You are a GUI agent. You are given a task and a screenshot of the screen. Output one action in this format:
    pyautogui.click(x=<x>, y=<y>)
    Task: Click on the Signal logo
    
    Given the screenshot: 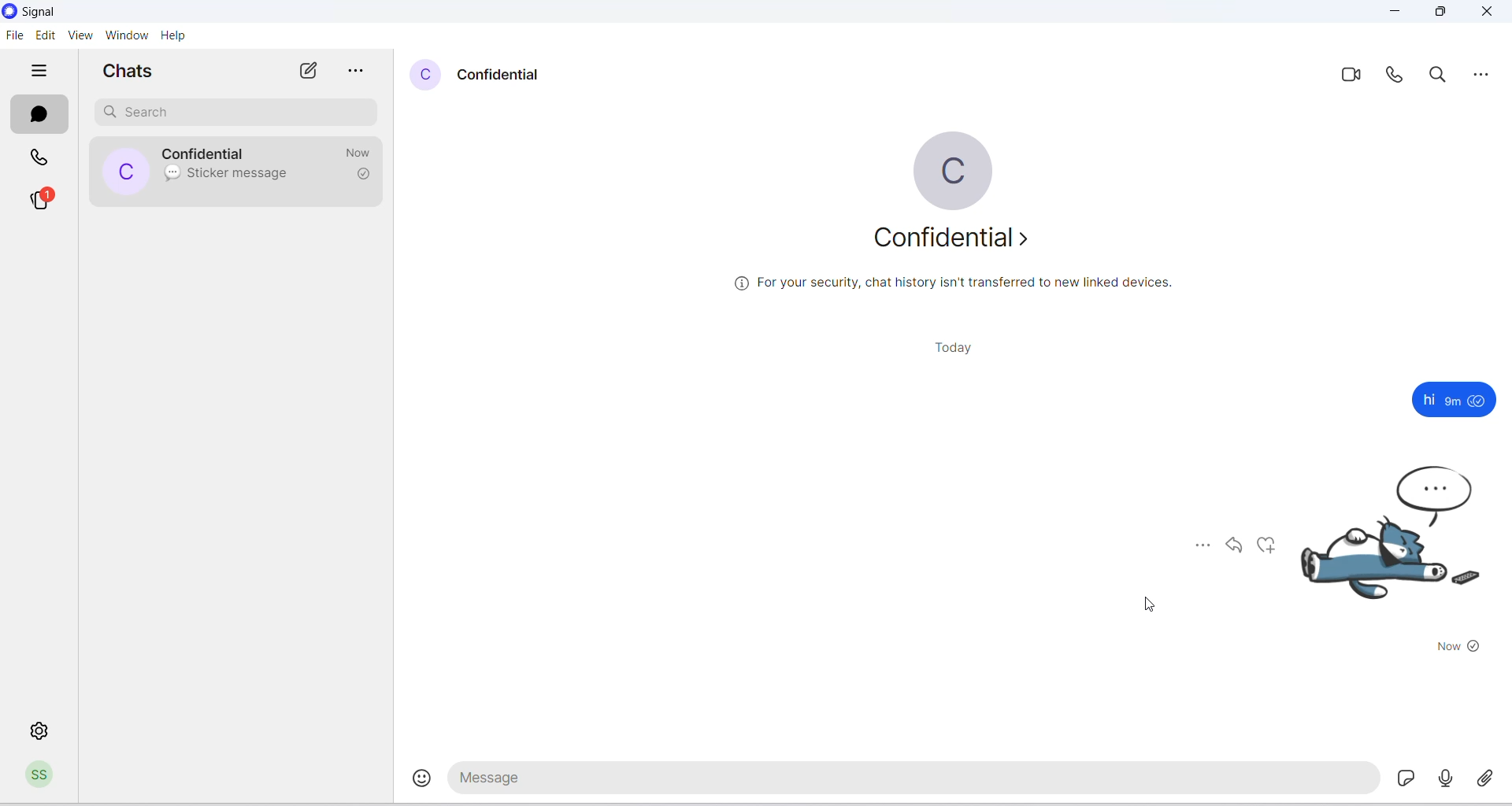 What is the action you would take?
    pyautogui.click(x=44, y=12)
    